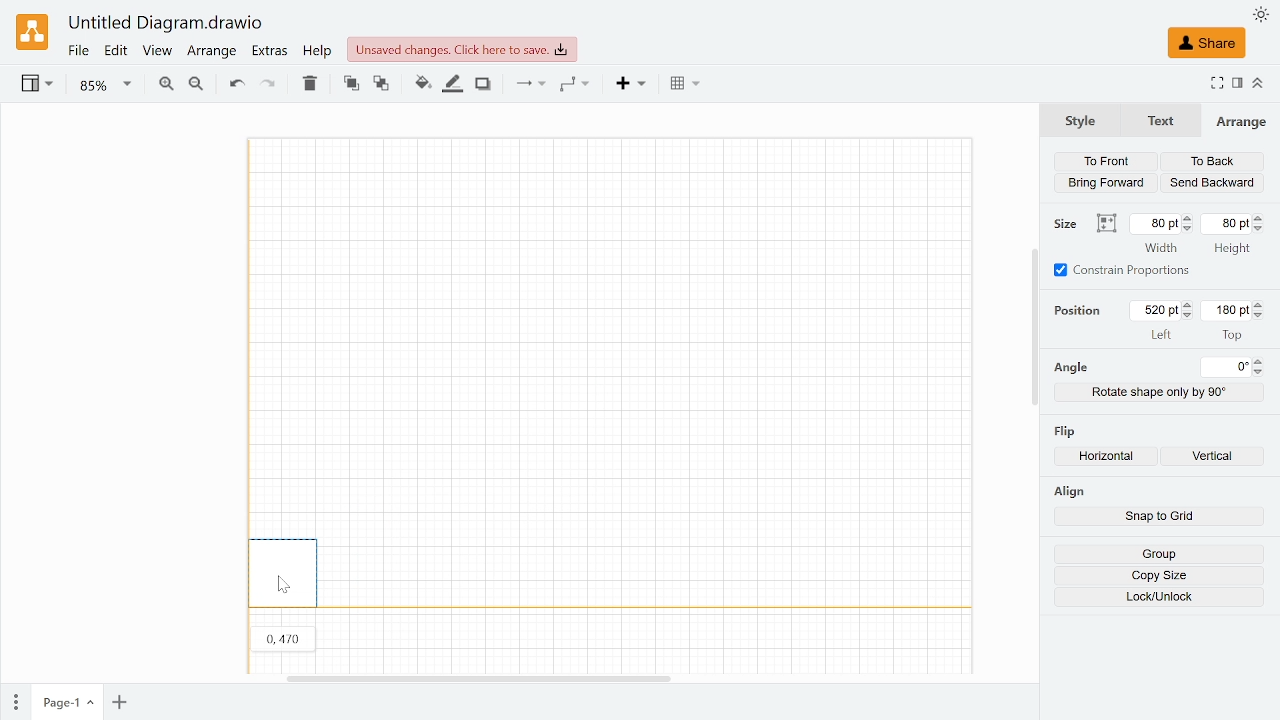 This screenshot has height=720, width=1280. Describe the element at coordinates (1082, 310) in the screenshot. I see `position` at that location.